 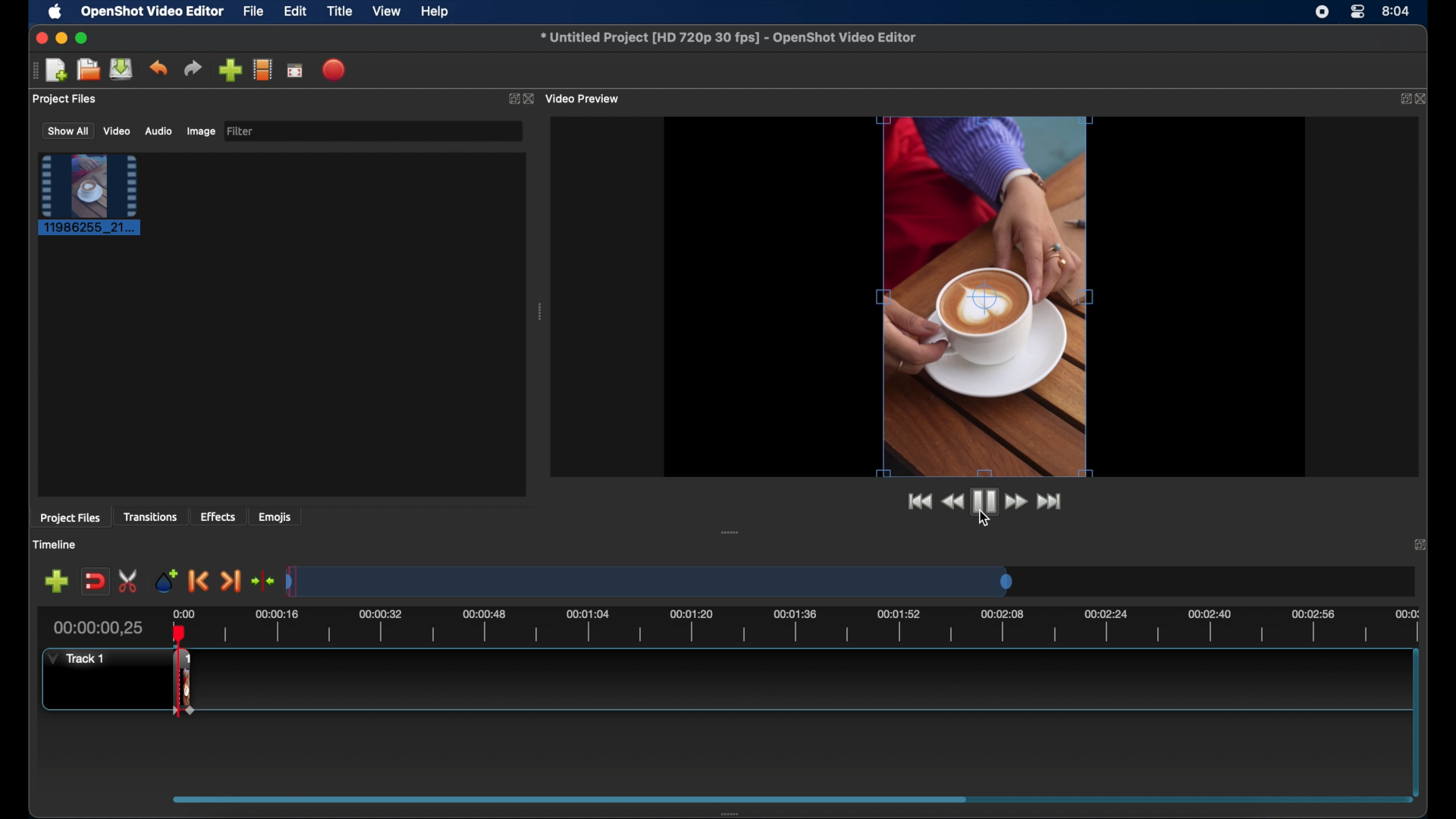 I want to click on new project, so click(x=58, y=69).